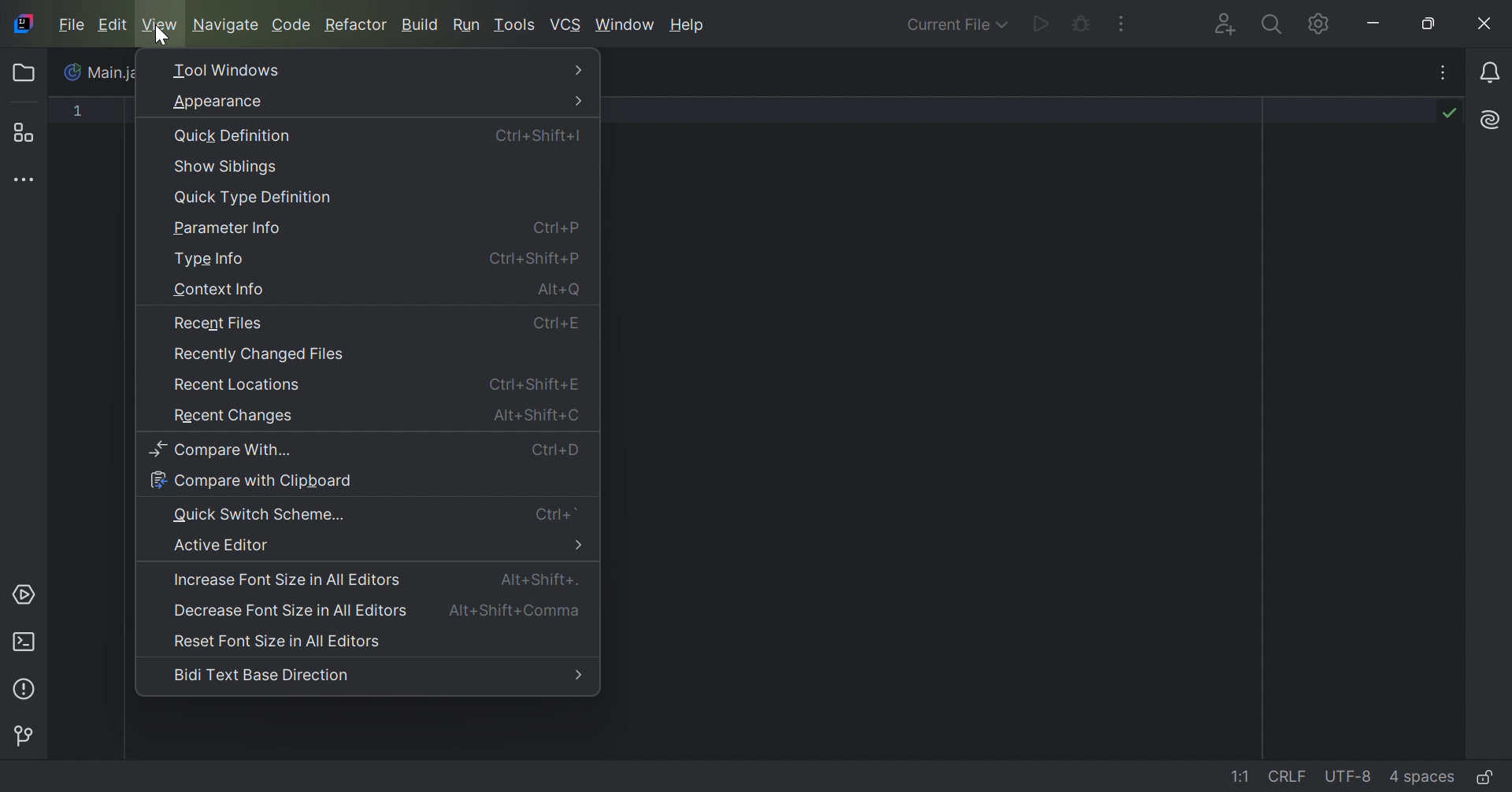 Image resolution: width=1512 pixels, height=792 pixels. I want to click on Tools, so click(515, 24).